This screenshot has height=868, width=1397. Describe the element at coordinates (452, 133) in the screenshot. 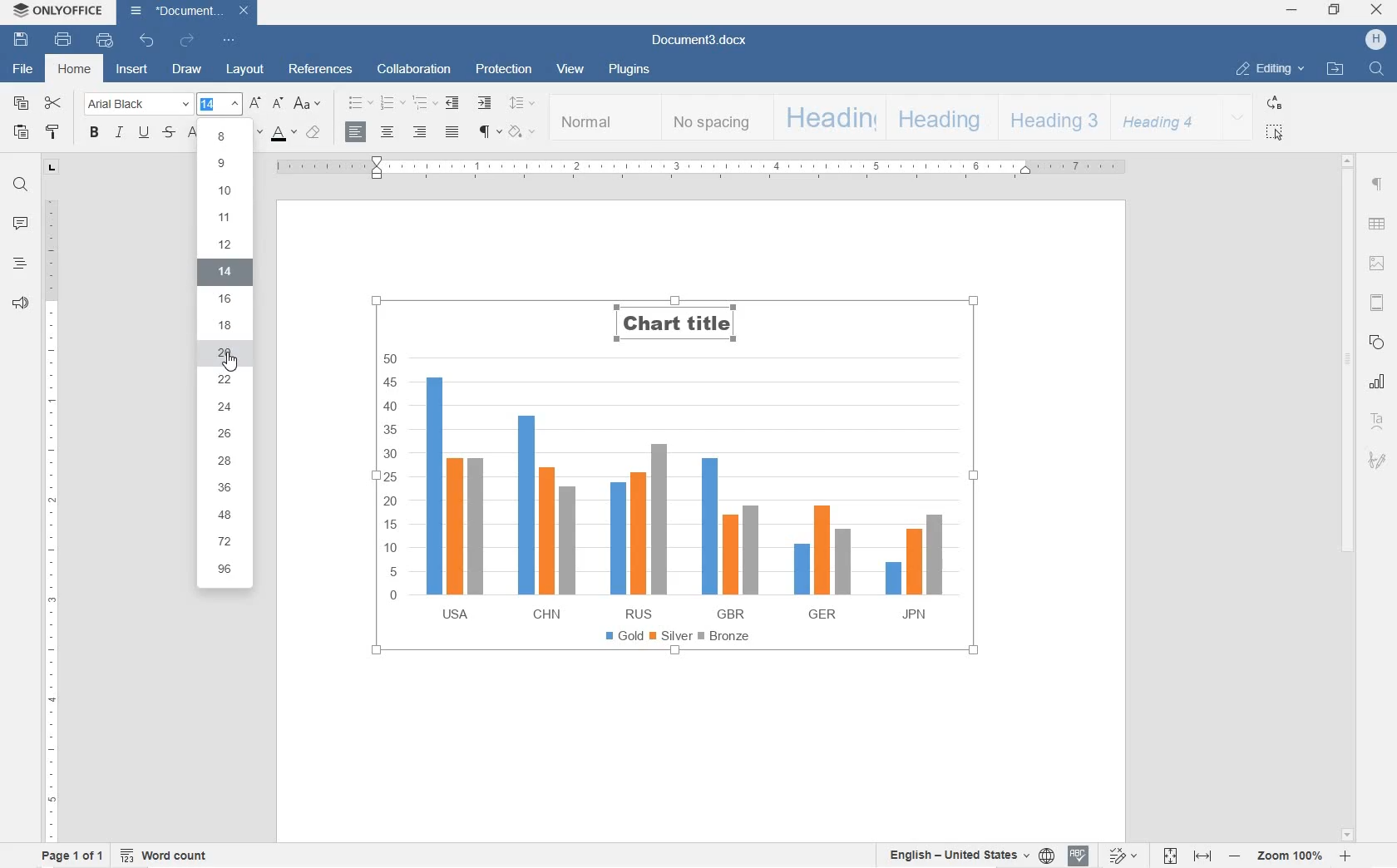

I see `JUSTIFIED` at that location.